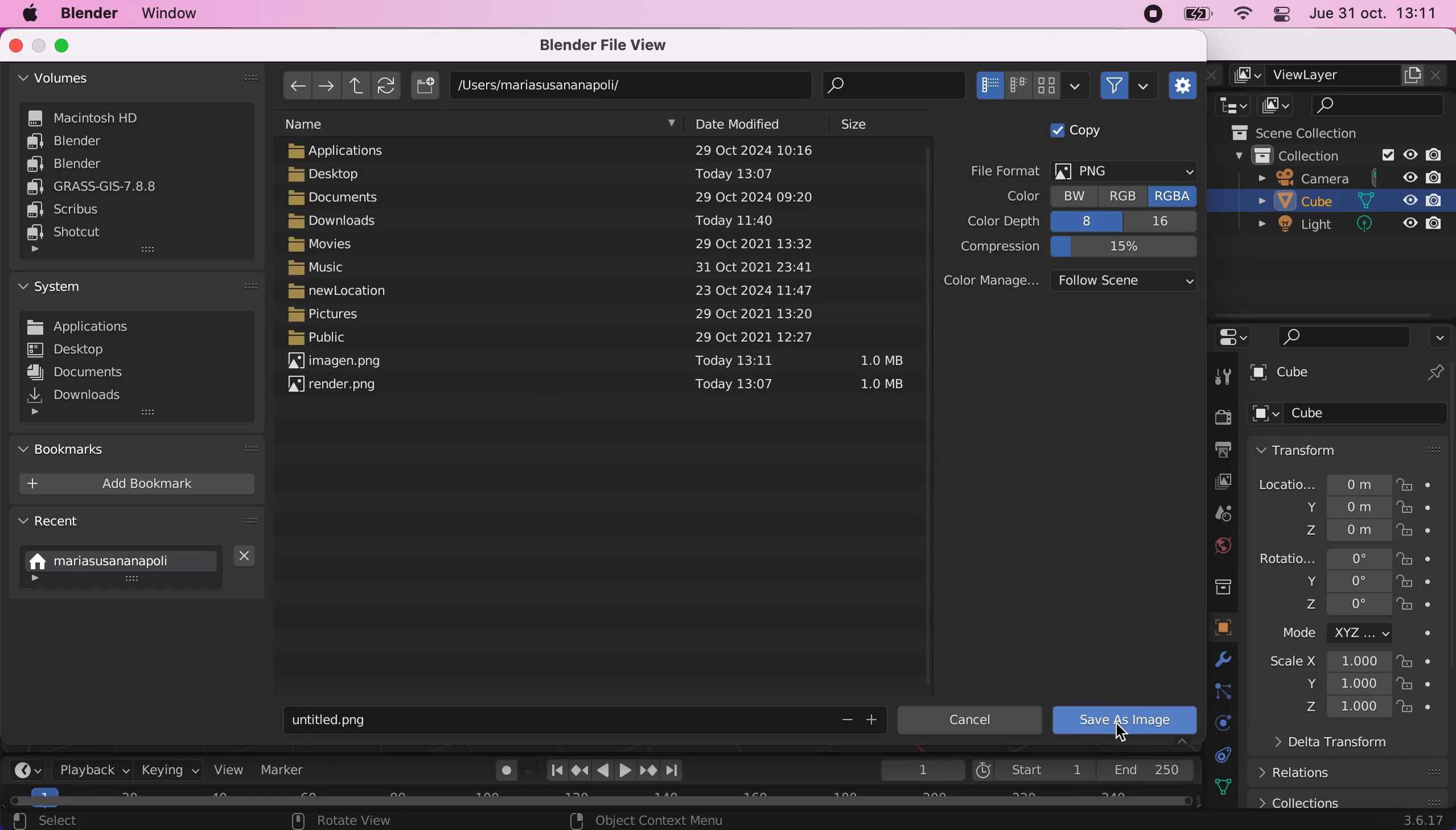  What do you see at coordinates (1335, 635) in the screenshot?
I see `mode` at bounding box center [1335, 635].